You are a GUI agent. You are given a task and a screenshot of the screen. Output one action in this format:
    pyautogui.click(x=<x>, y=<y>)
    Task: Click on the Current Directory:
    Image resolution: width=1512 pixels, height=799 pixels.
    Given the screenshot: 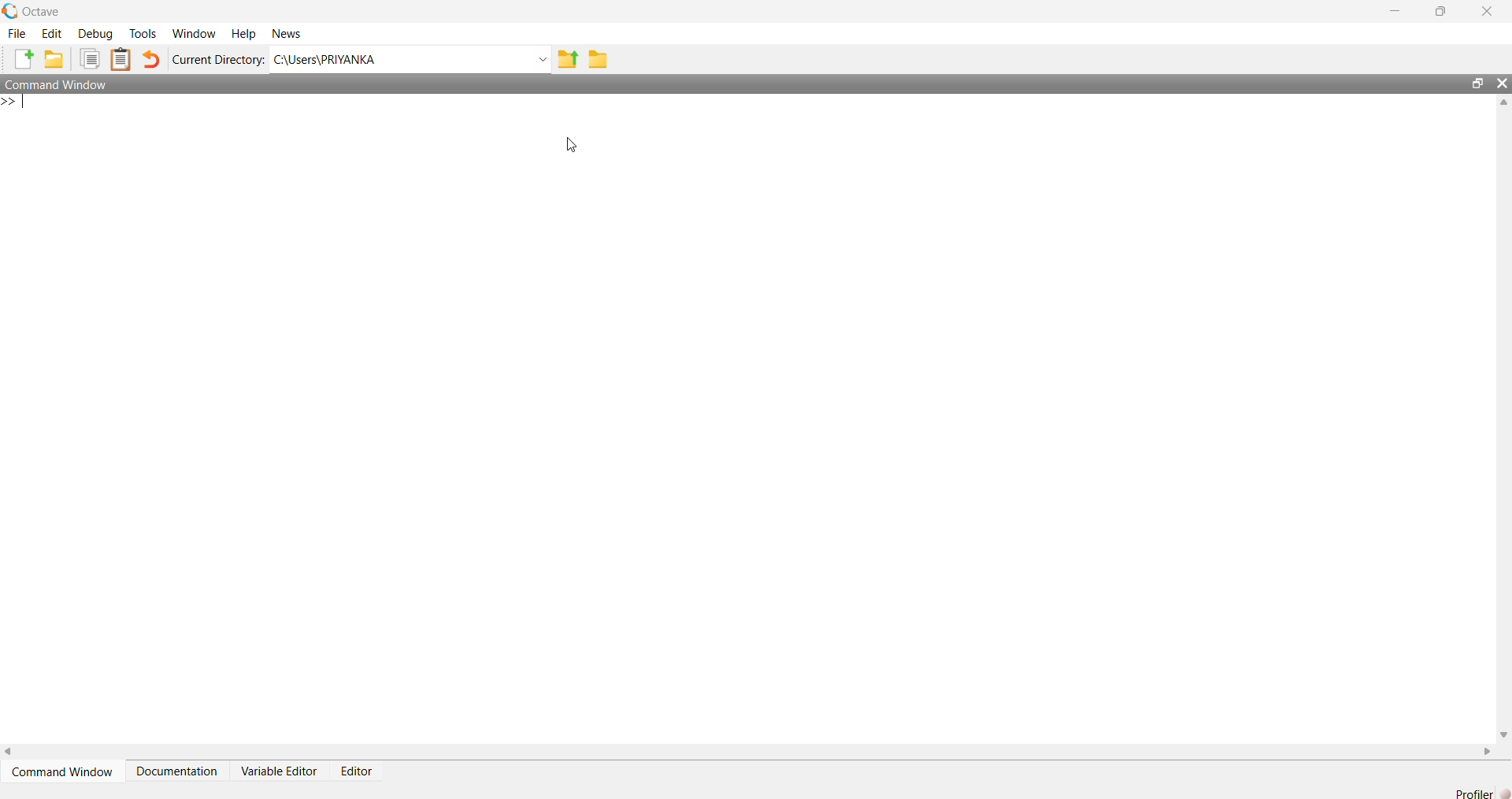 What is the action you would take?
    pyautogui.click(x=218, y=59)
    